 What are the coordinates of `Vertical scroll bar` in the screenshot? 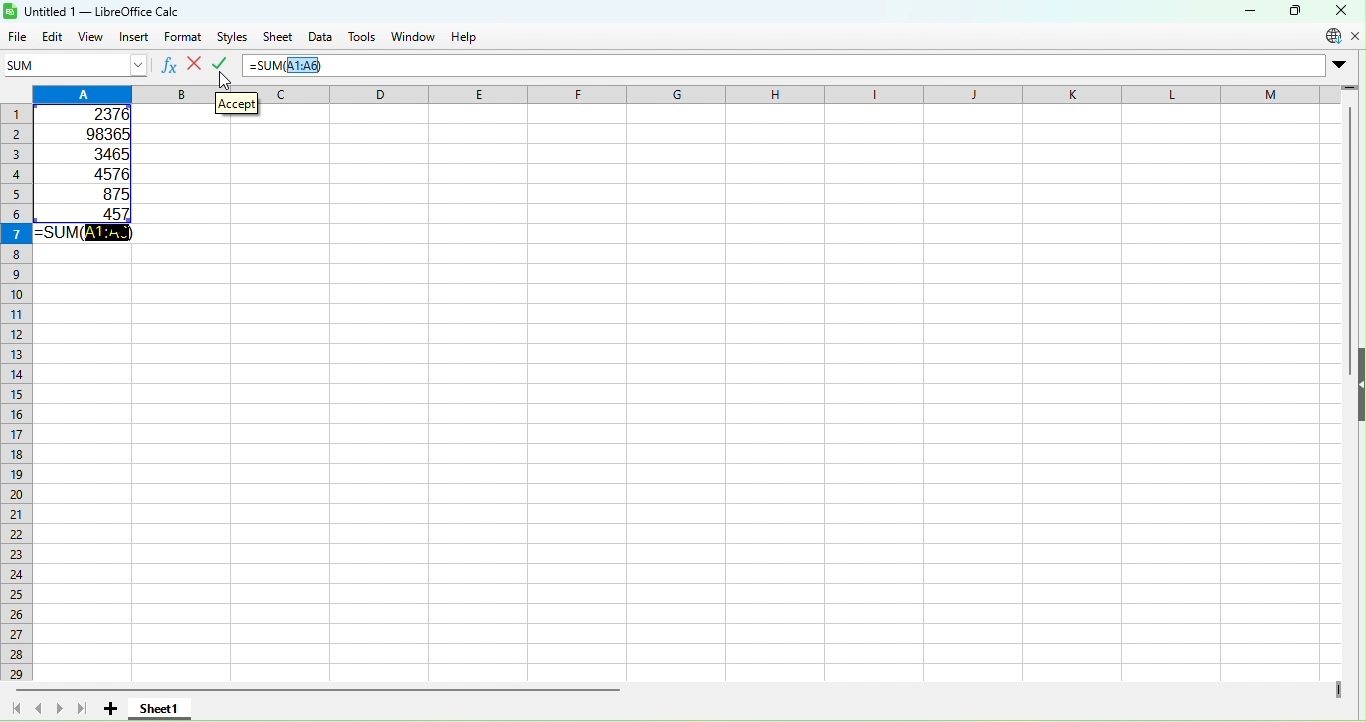 It's located at (1352, 557).